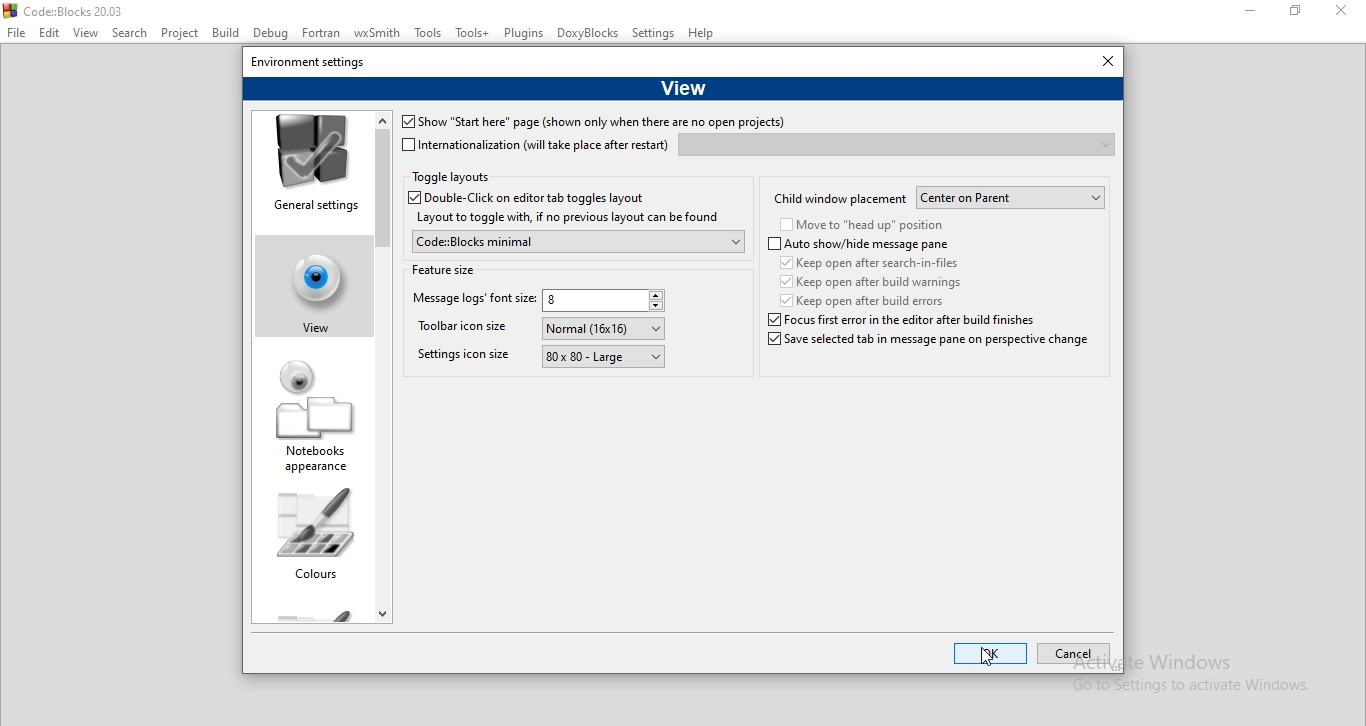 The height and width of the screenshot is (726, 1366). Describe the element at coordinates (380, 34) in the screenshot. I see `wxSmith` at that location.